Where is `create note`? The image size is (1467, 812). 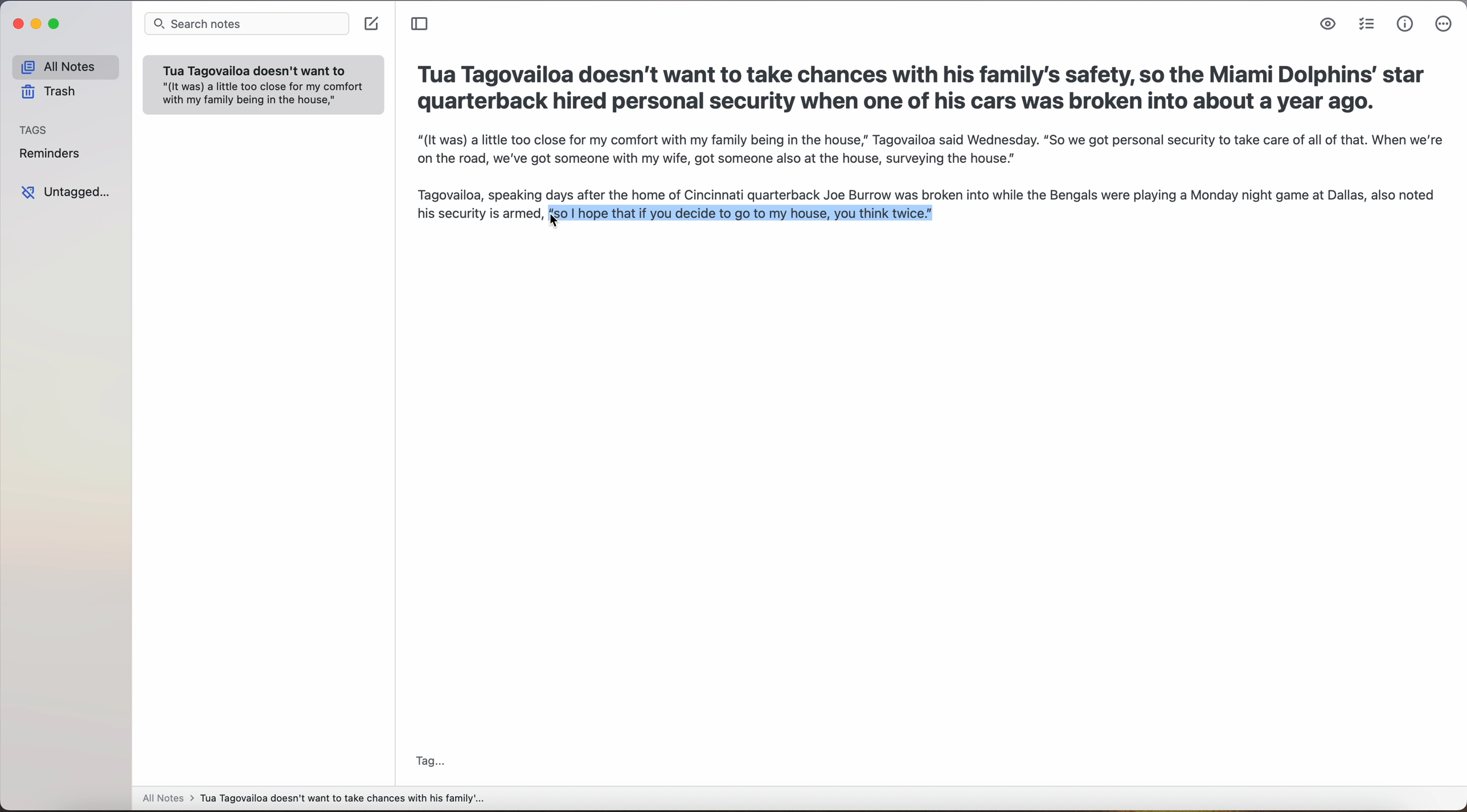
create note is located at coordinates (373, 26).